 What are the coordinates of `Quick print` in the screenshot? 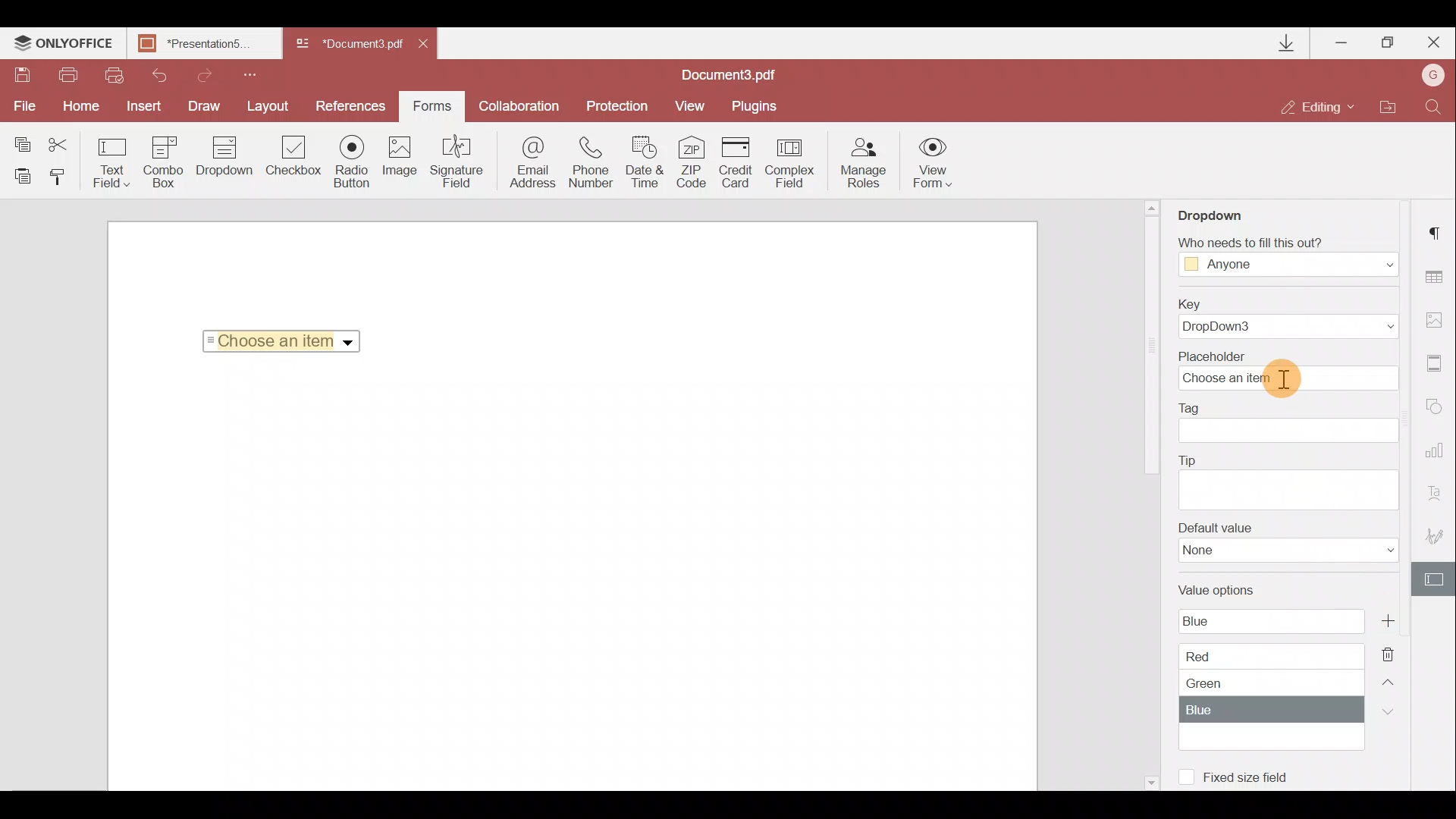 It's located at (115, 75).